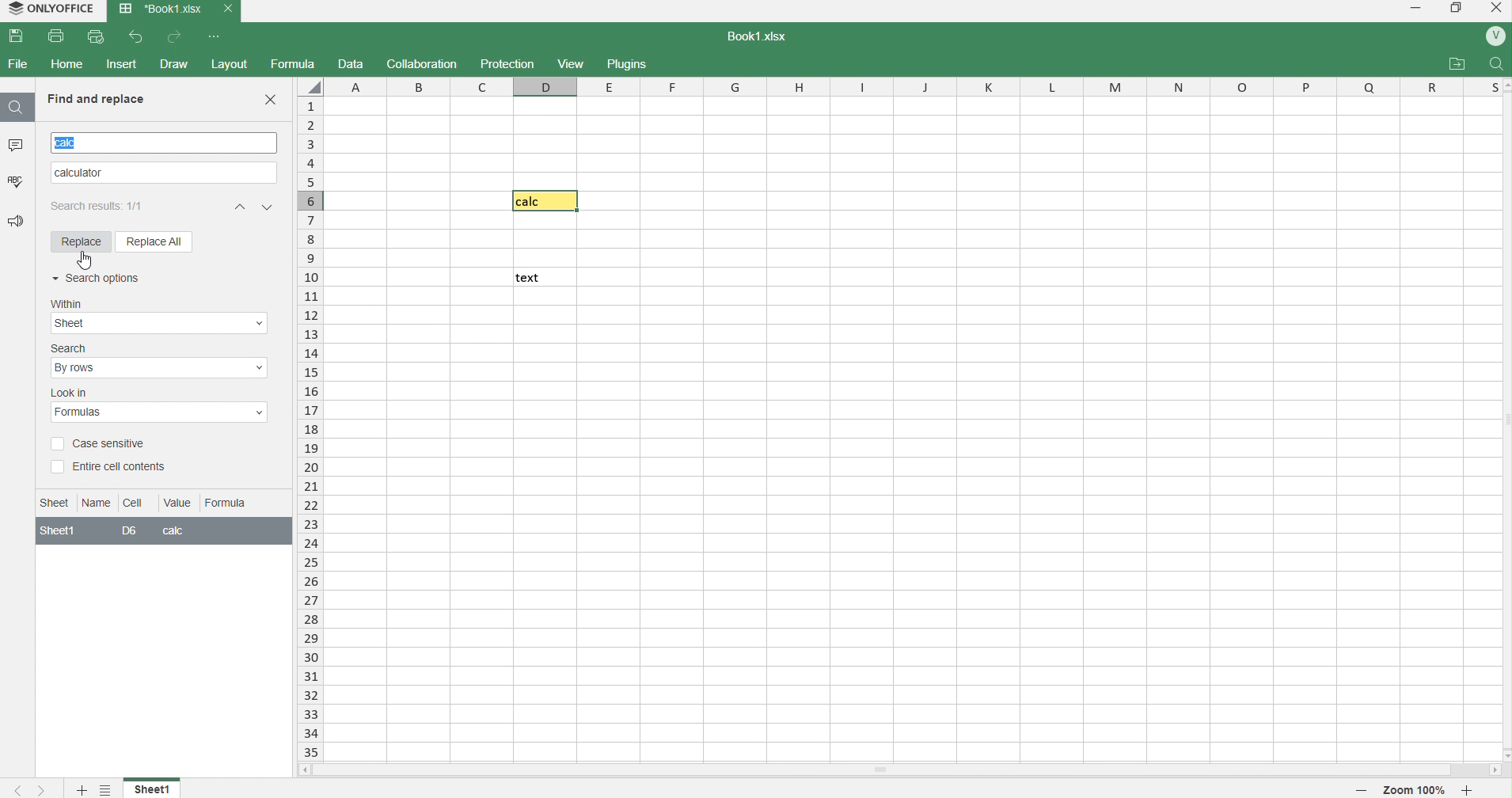  Describe the element at coordinates (48, 9) in the screenshot. I see `onlyoffice` at that location.